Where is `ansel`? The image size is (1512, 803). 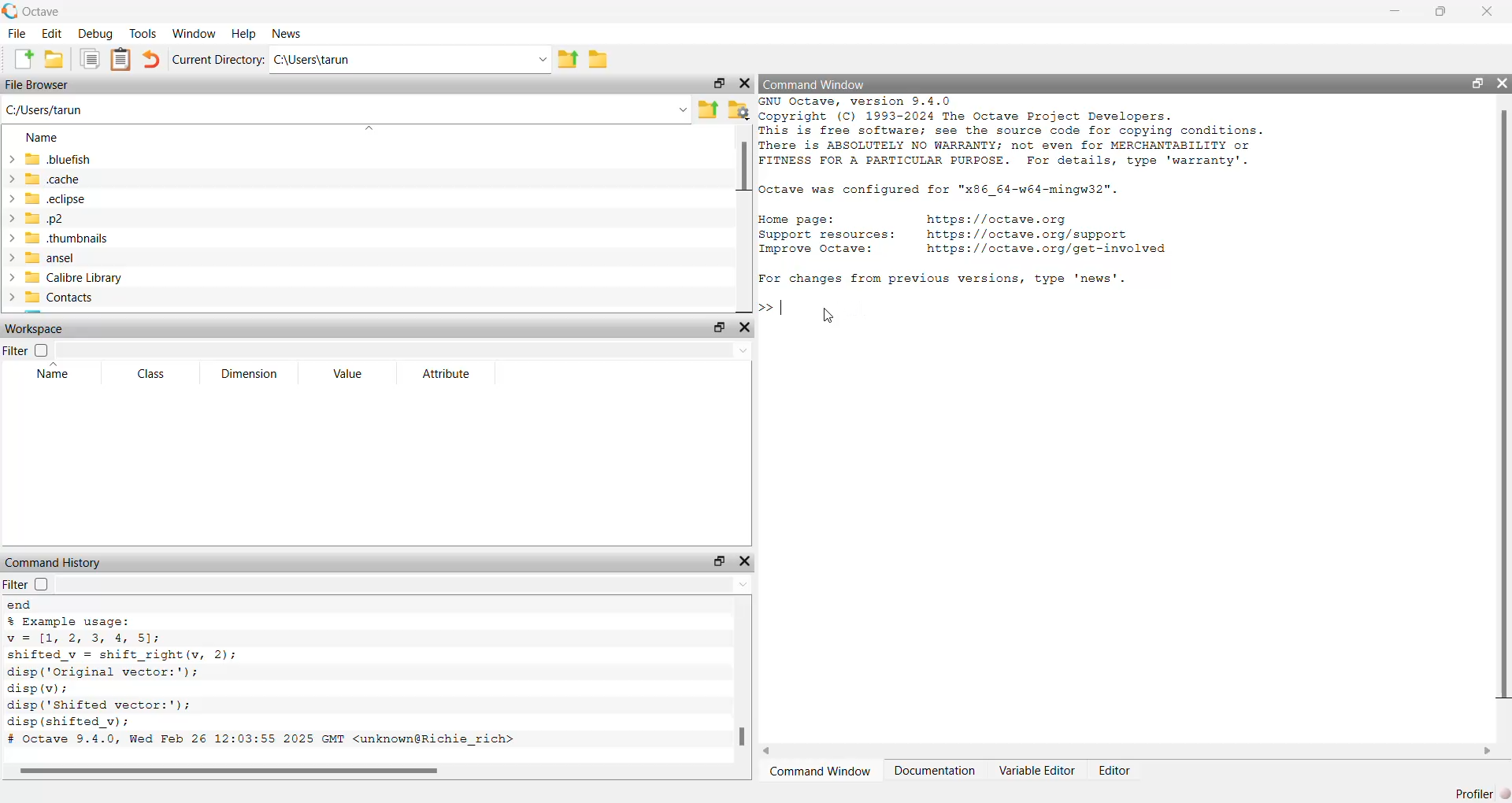
ansel is located at coordinates (61, 257).